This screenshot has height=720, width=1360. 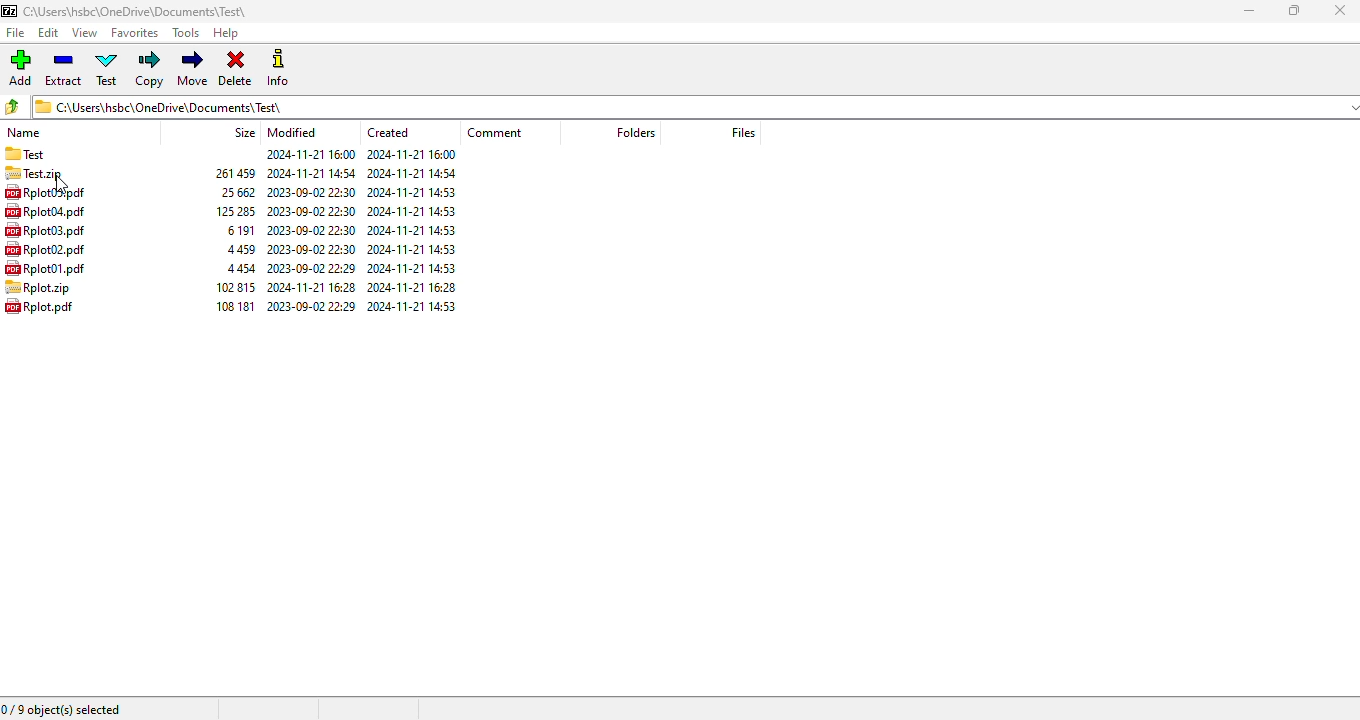 I want to click on file name, so click(x=44, y=192).